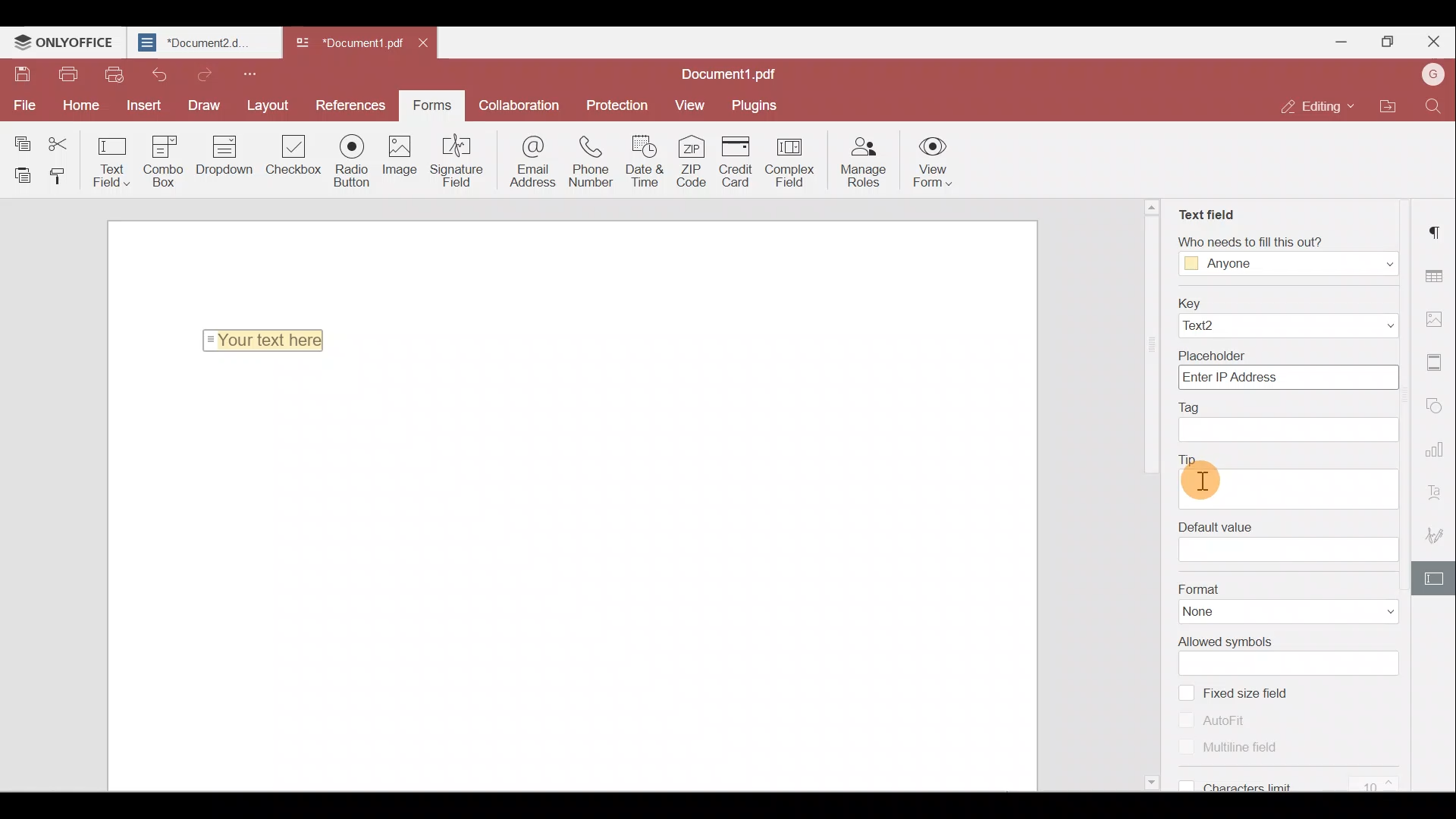 The width and height of the screenshot is (1456, 819). Describe the element at coordinates (1290, 551) in the screenshot. I see `Default value field` at that location.